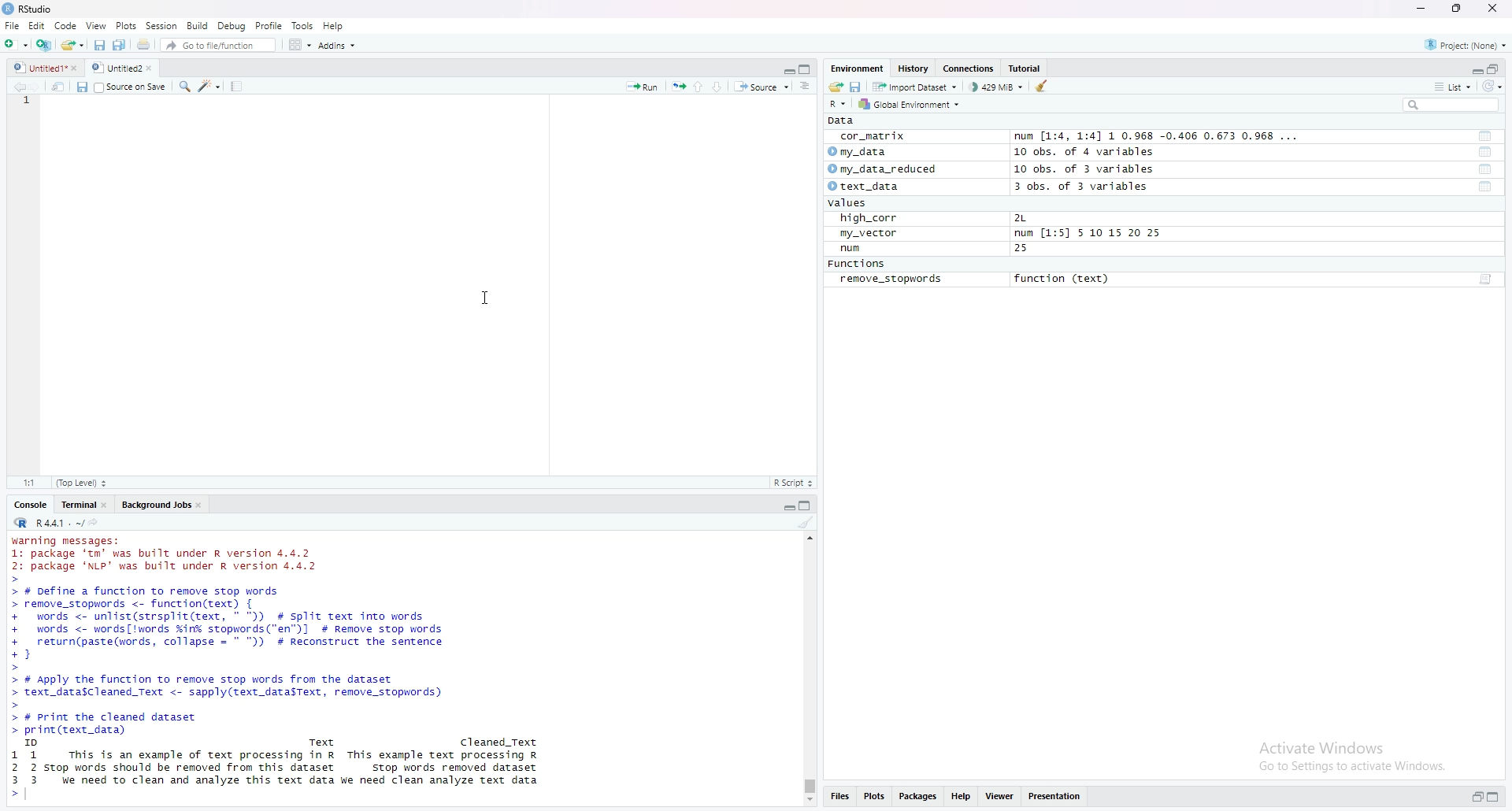 The width and height of the screenshot is (1512, 811). Describe the element at coordinates (1493, 87) in the screenshot. I see `Refresh` at that location.